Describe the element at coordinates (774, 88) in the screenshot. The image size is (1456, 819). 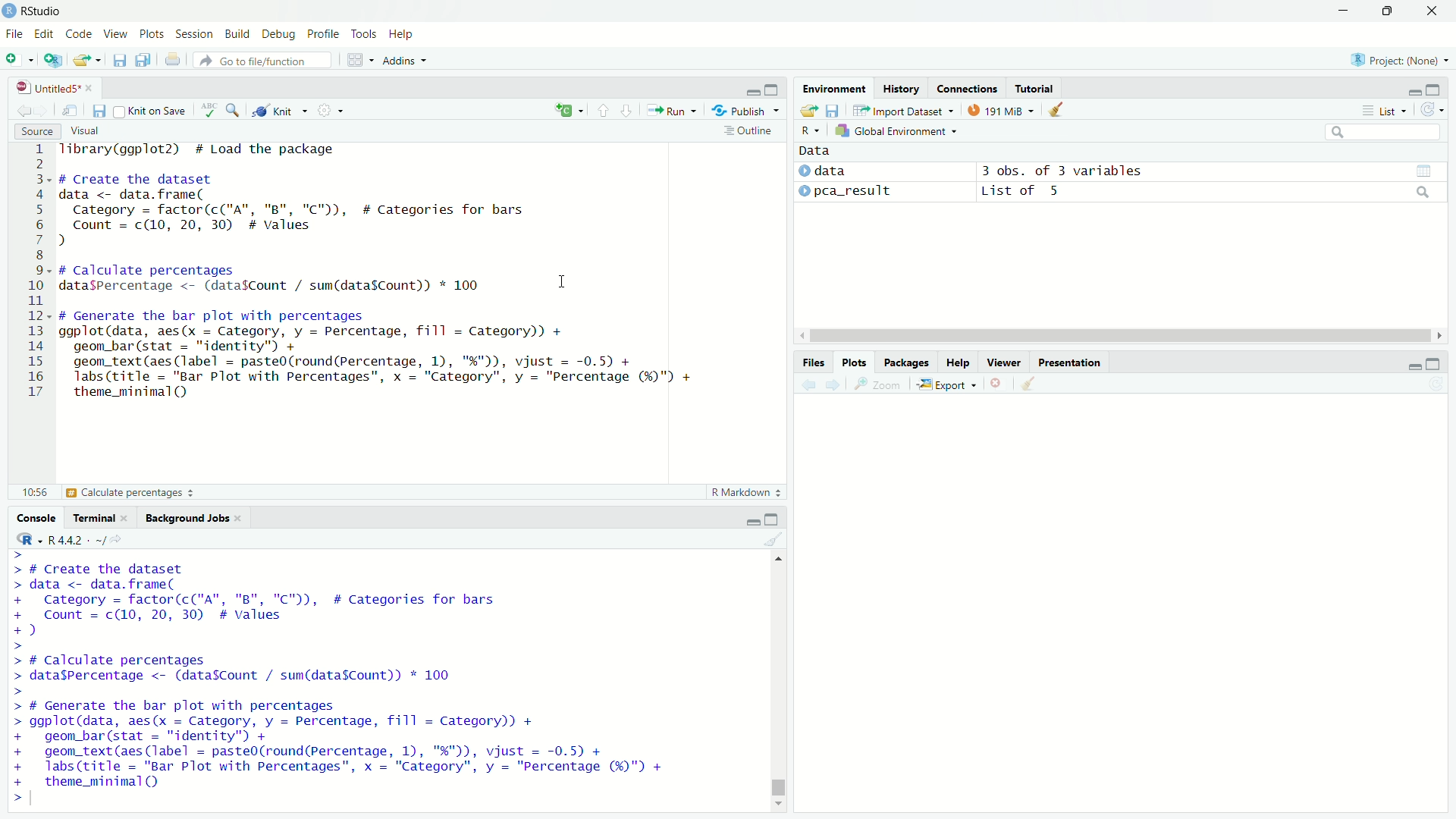
I see `maximize` at that location.